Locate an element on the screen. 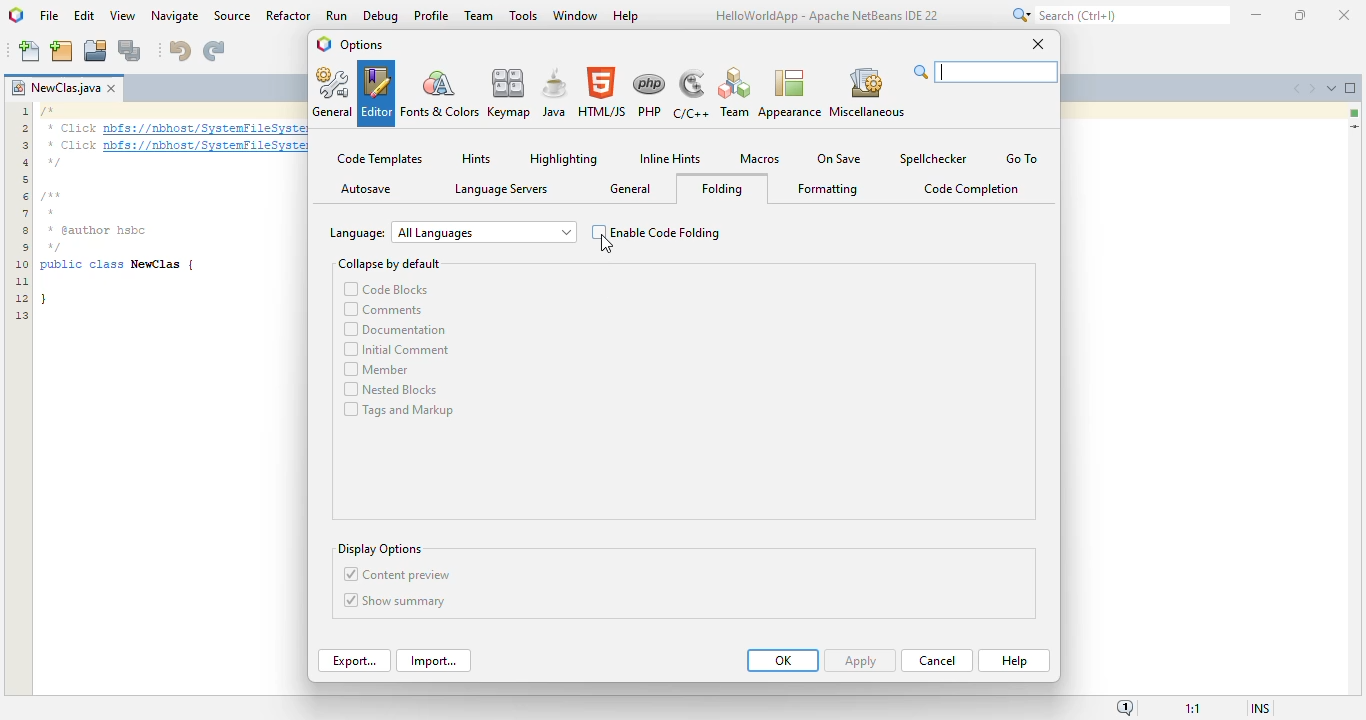 The image size is (1366, 720). options is located at coordinates (362, 45).